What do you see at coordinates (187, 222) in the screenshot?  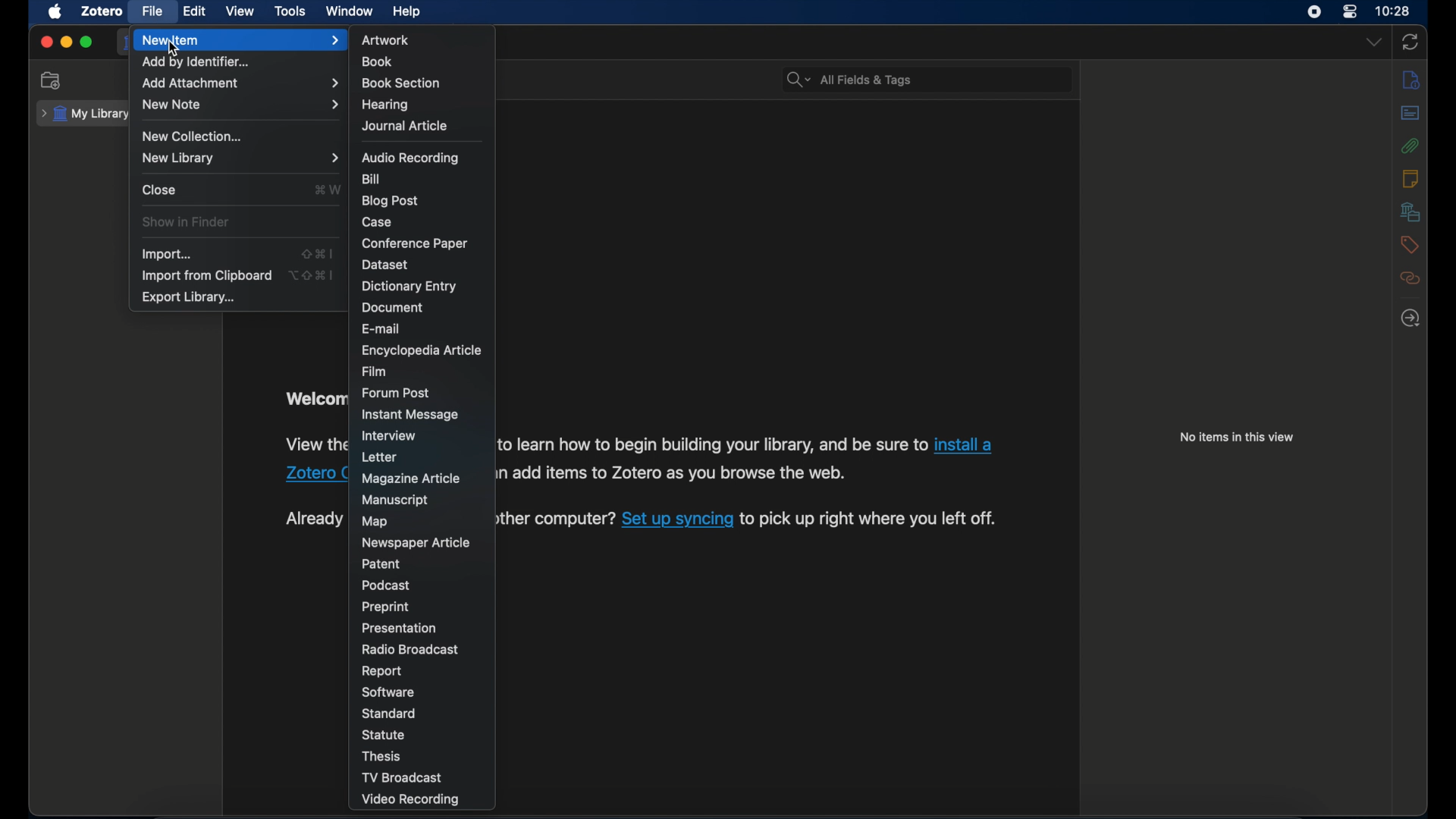 I see `show in finder` at bounding box center [187, 222].